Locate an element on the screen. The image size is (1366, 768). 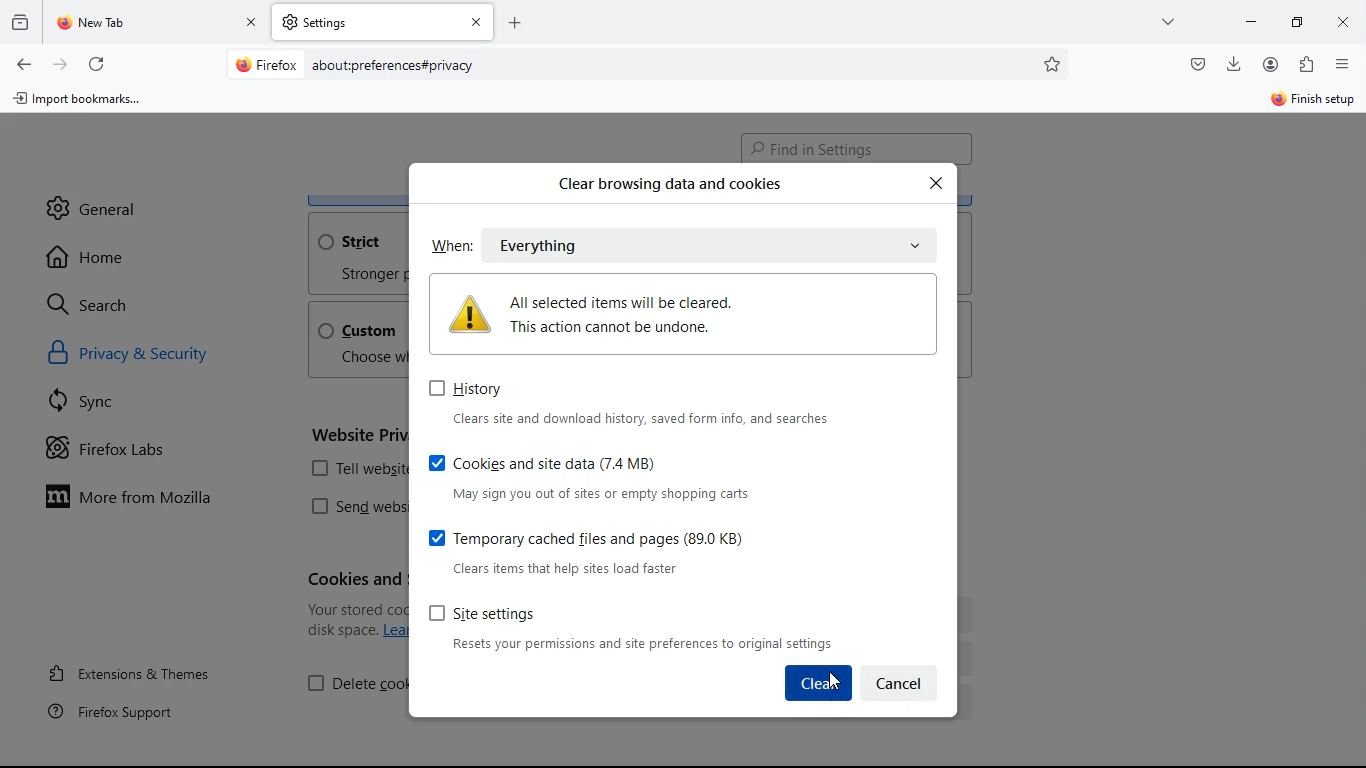
Close is located at coordinates (937, 184).